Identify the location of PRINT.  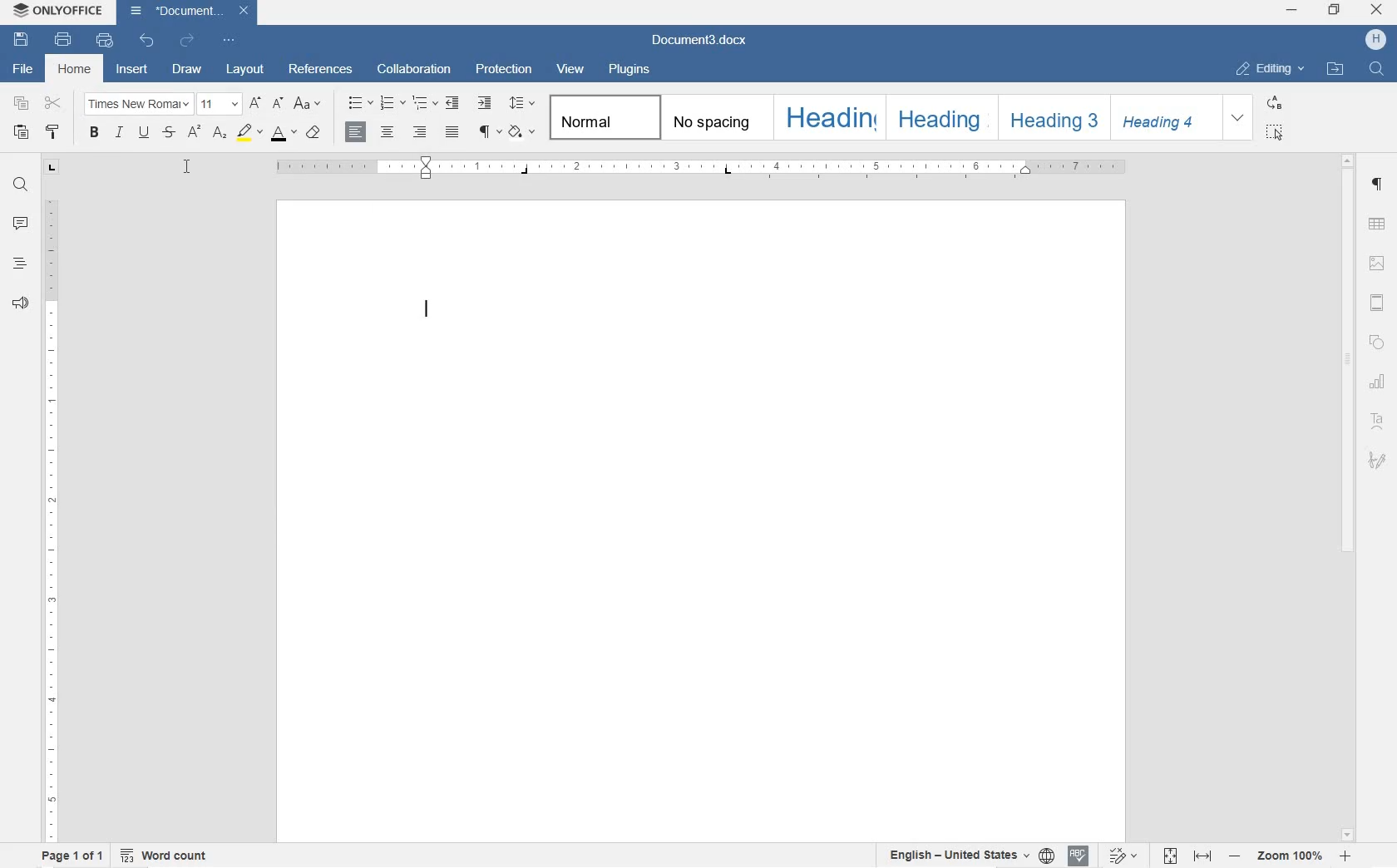
(62, 37).